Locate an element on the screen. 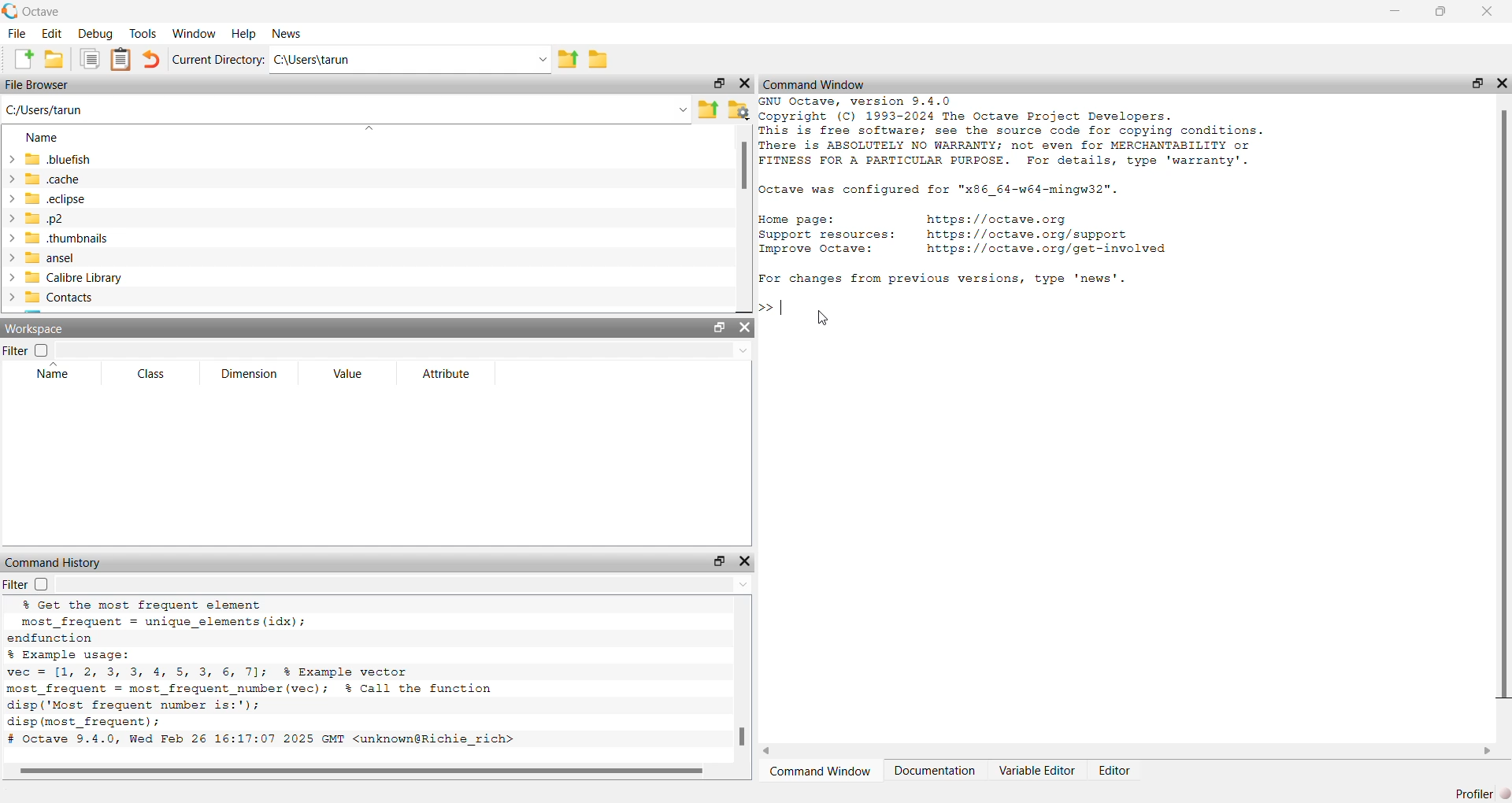 This screenshot has height=803, width=1512. File is located at coordinates (18, 32).